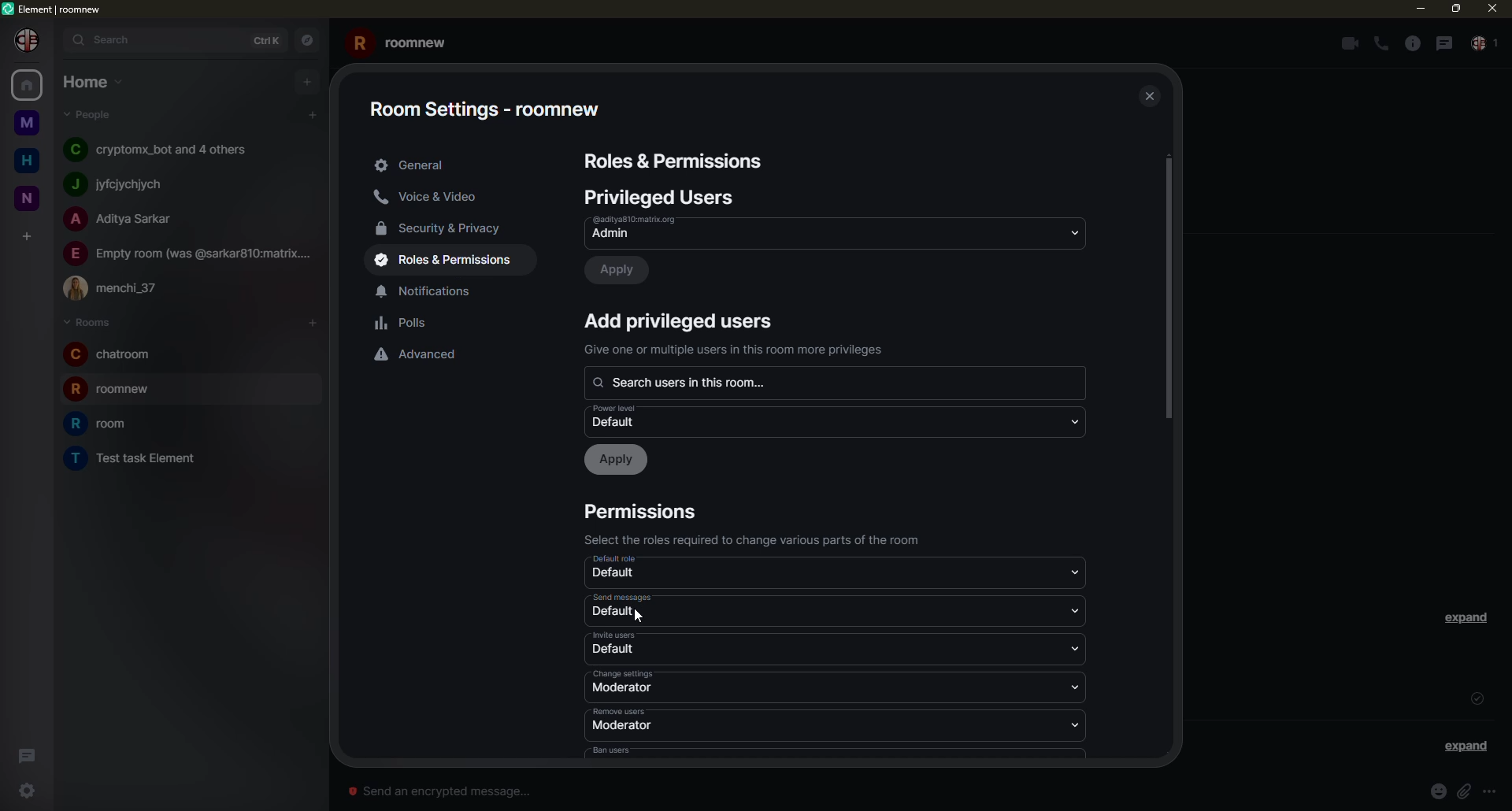 Image resolution: width=1512 pixels, height=811 pixels. I want to click on moderator, so click(622, 726).